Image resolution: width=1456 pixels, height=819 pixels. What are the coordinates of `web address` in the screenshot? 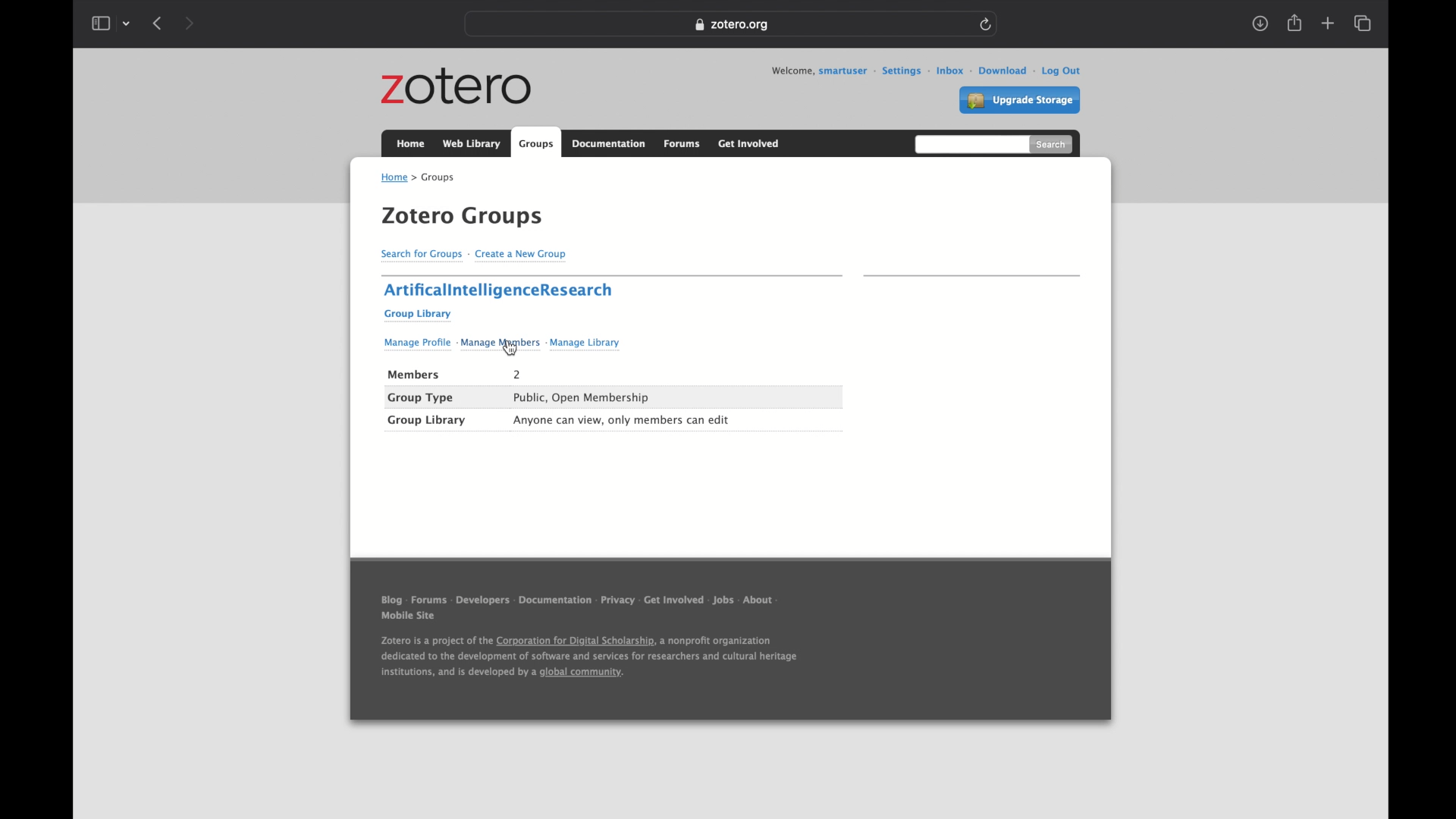 It's located at (730, 25).